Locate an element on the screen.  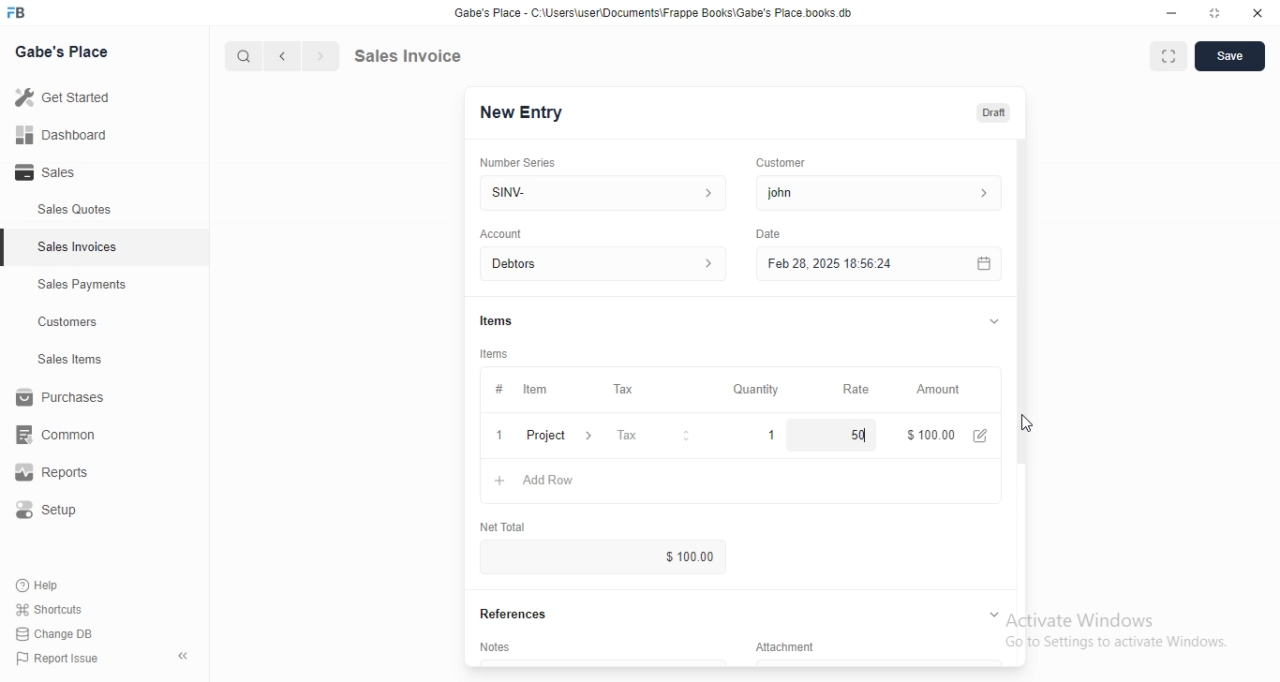
cursor is located at coordinates (234, 56).